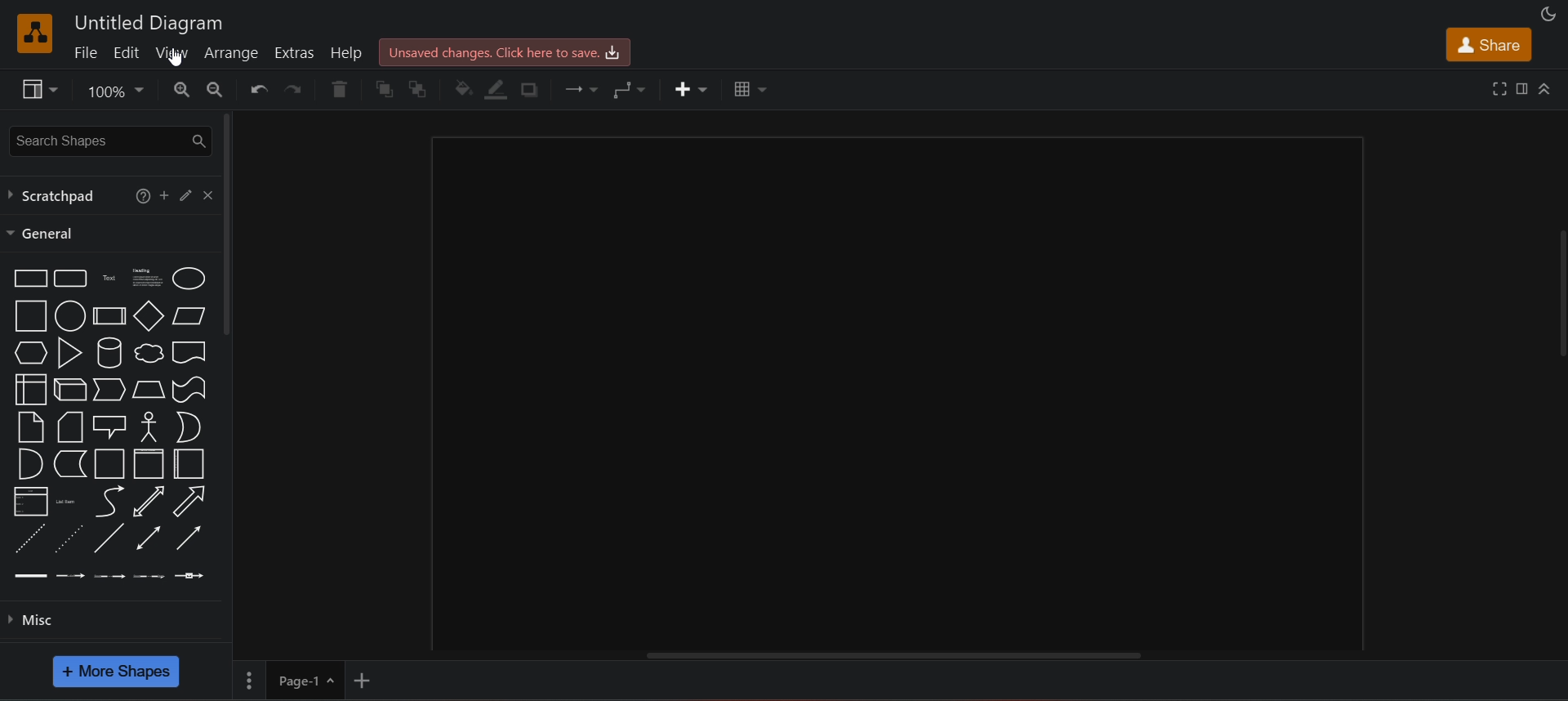  I want to click on internals torage, so click(31, 388).